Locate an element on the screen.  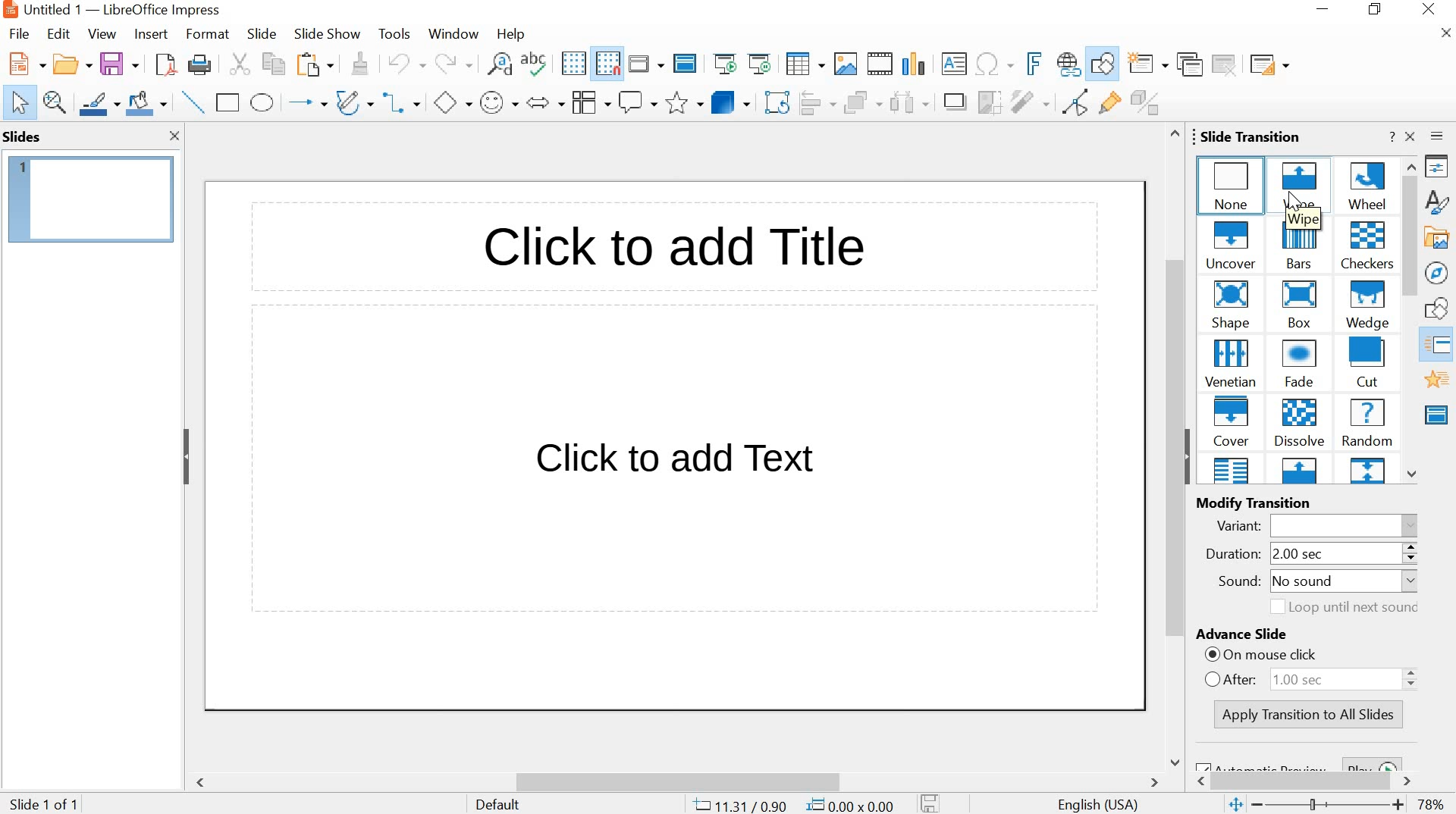
OPEN is located at coordinates (69, 64).